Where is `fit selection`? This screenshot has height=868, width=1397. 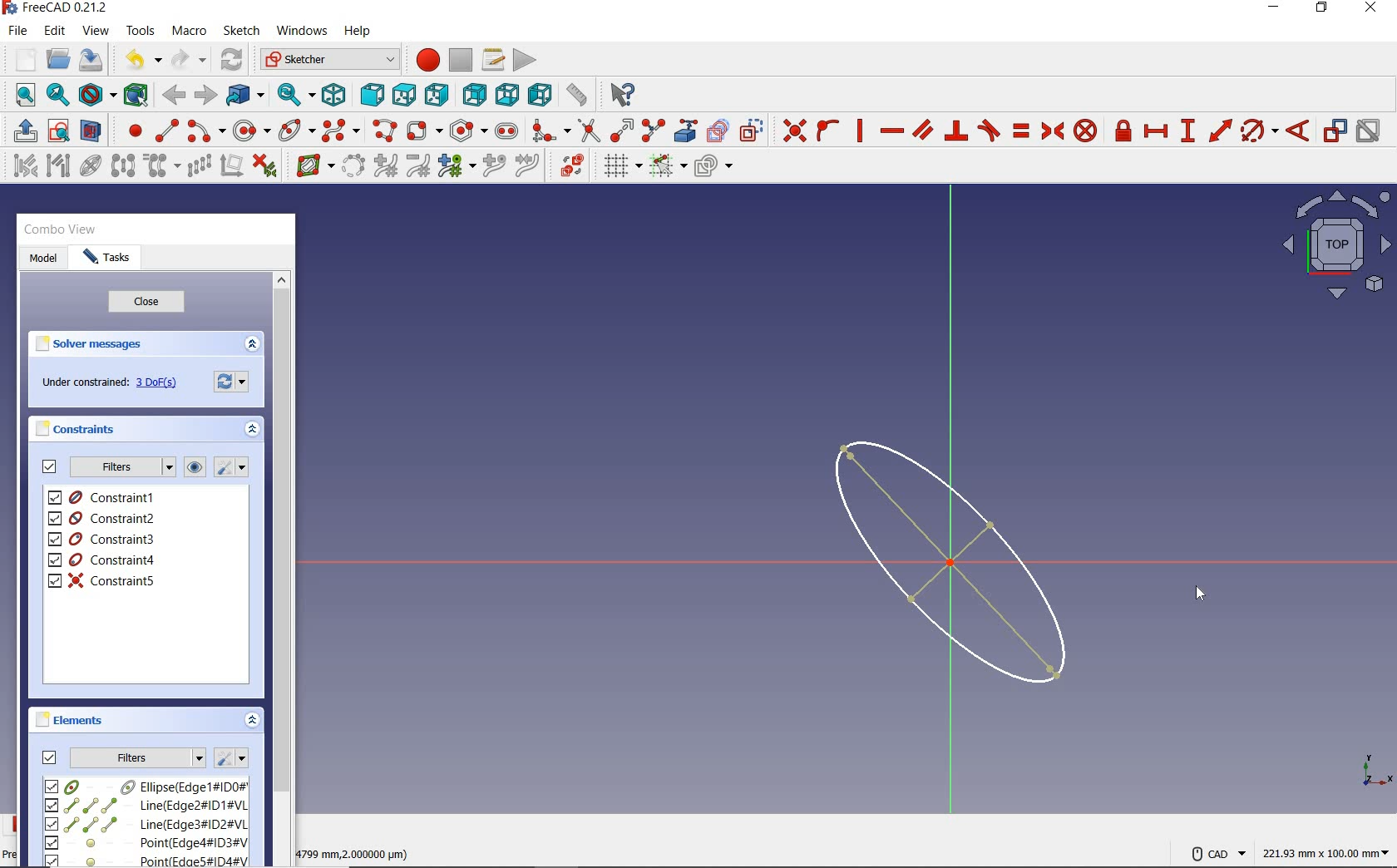
fit selection is located at coordinates (57, 96).